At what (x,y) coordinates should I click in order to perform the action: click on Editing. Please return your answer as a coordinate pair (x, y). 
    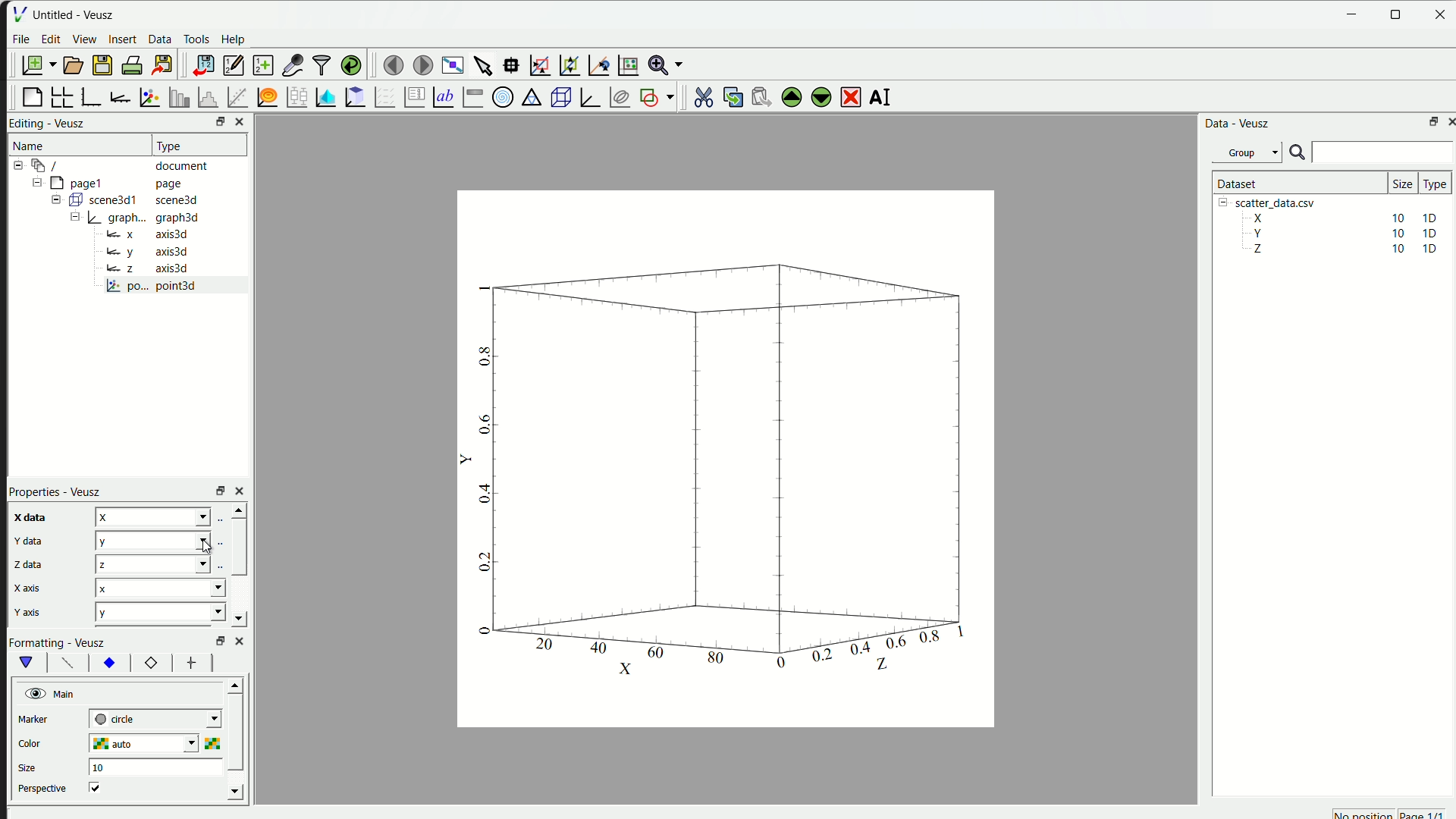
    Looking at the image, I should click on (27, 122).